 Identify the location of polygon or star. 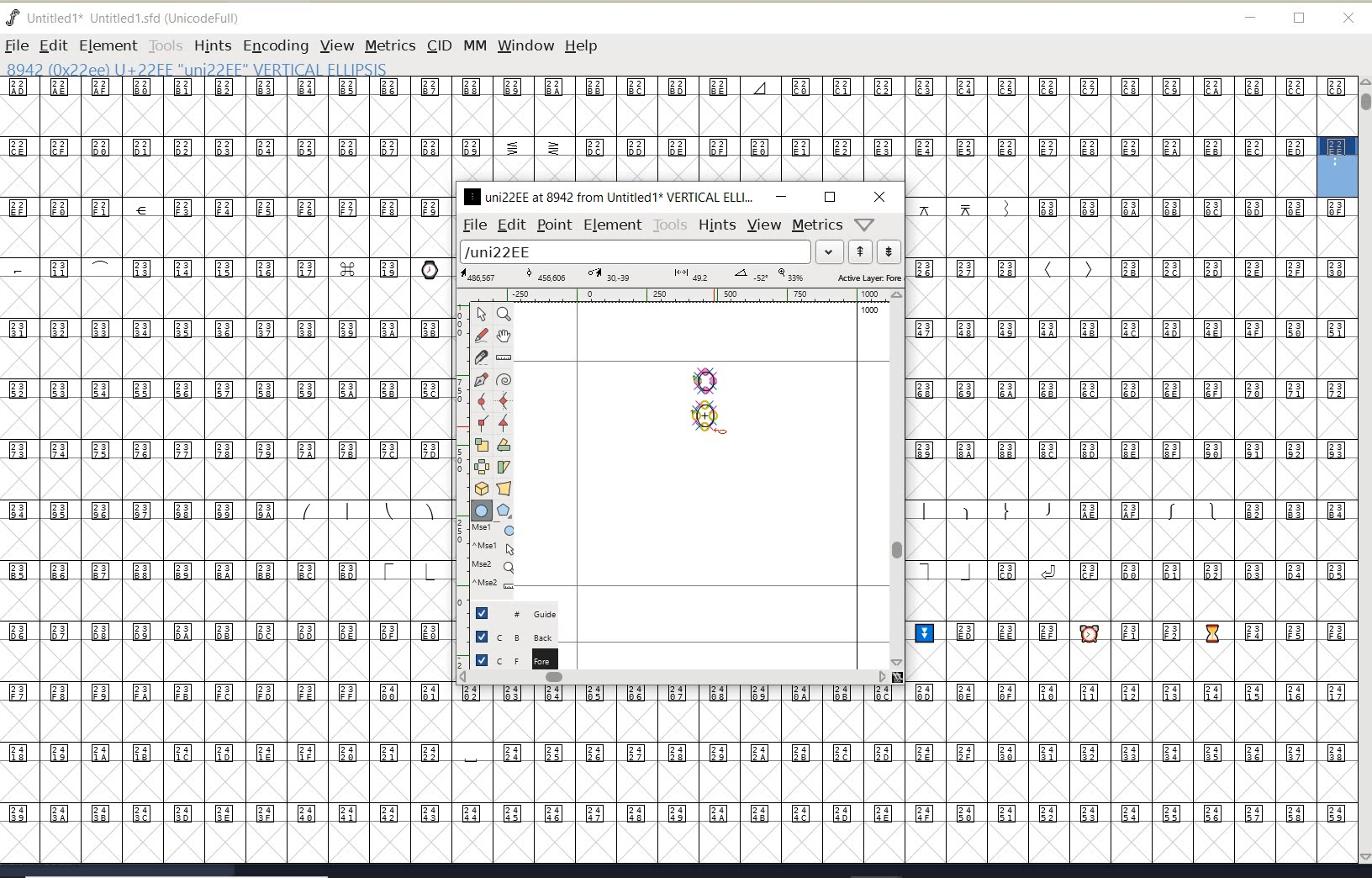
(504, 512).